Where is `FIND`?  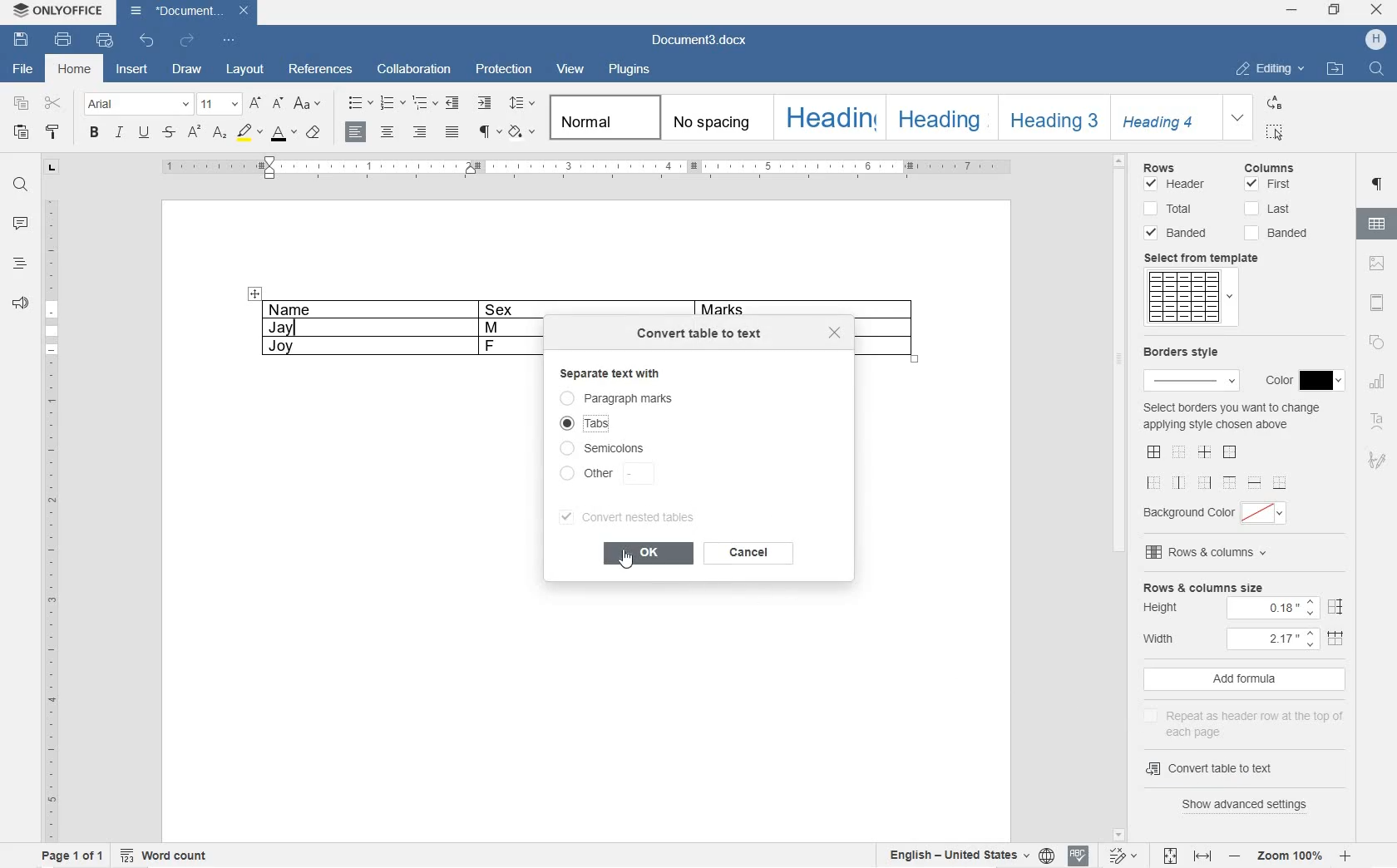 FIND is located at coordinates (19, 187).